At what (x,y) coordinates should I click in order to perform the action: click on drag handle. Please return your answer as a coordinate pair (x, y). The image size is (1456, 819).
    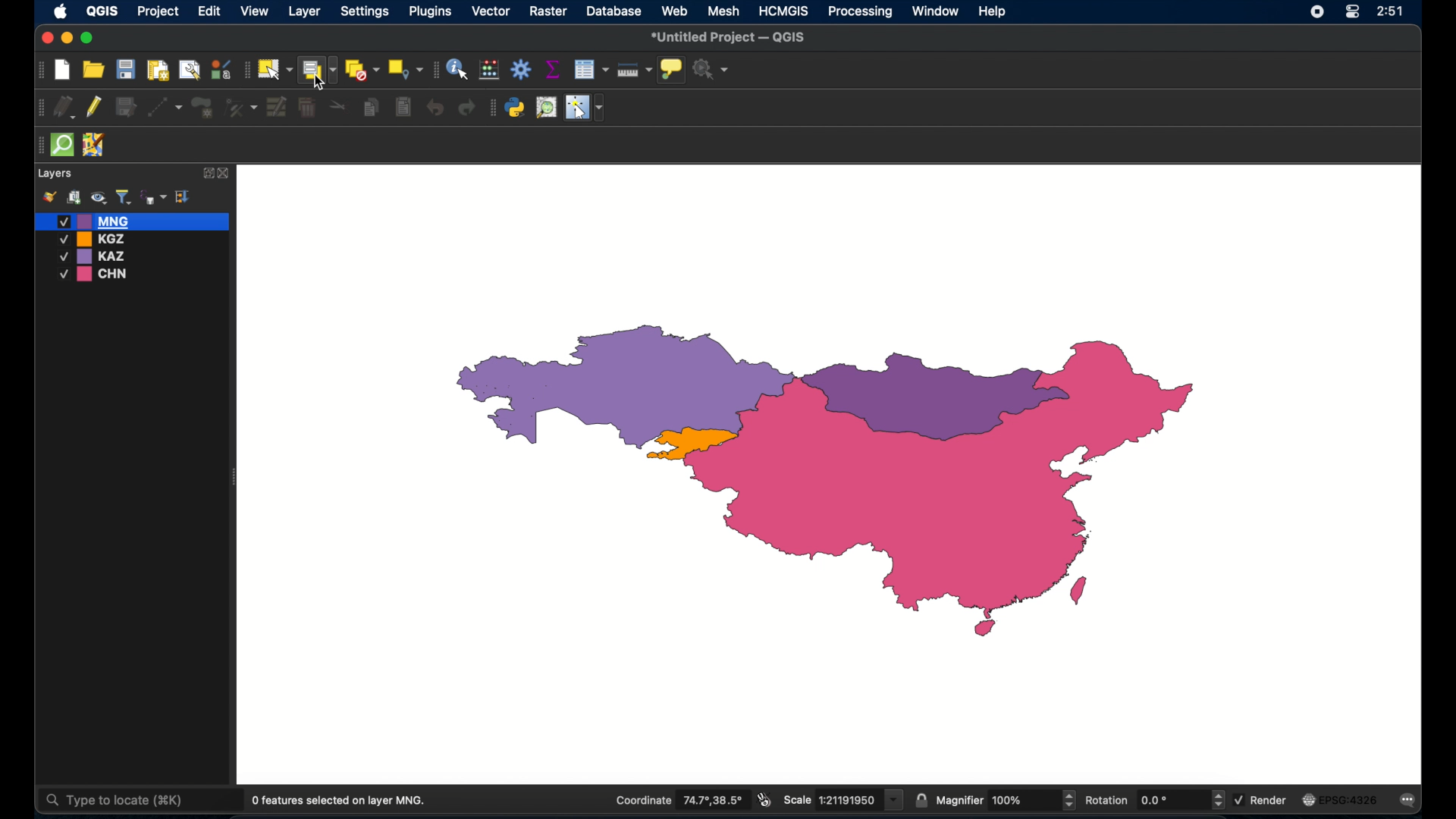
    Looking at the image, I should click on (38, 145).